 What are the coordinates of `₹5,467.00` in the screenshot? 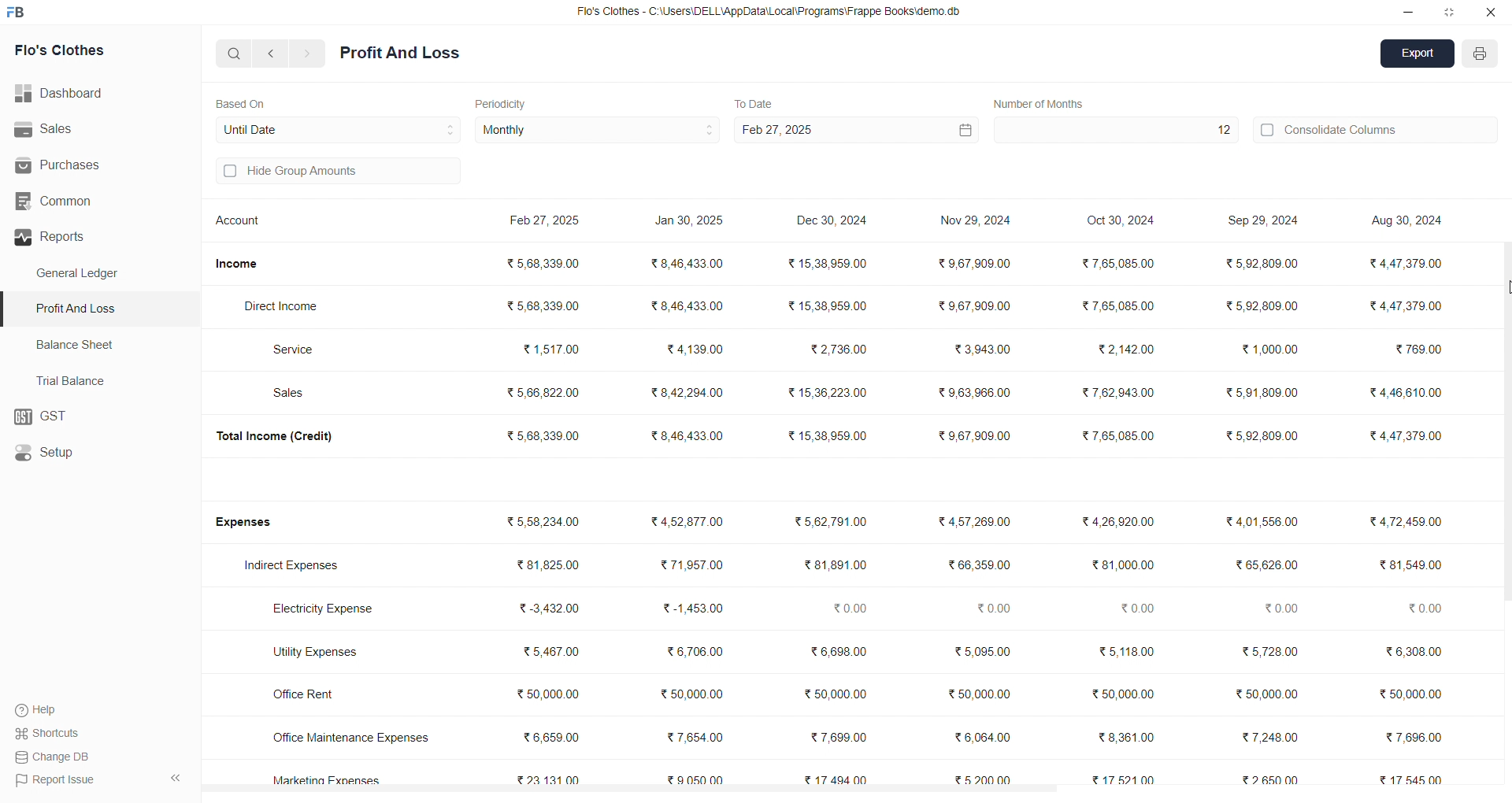 It's located at (551, 651).